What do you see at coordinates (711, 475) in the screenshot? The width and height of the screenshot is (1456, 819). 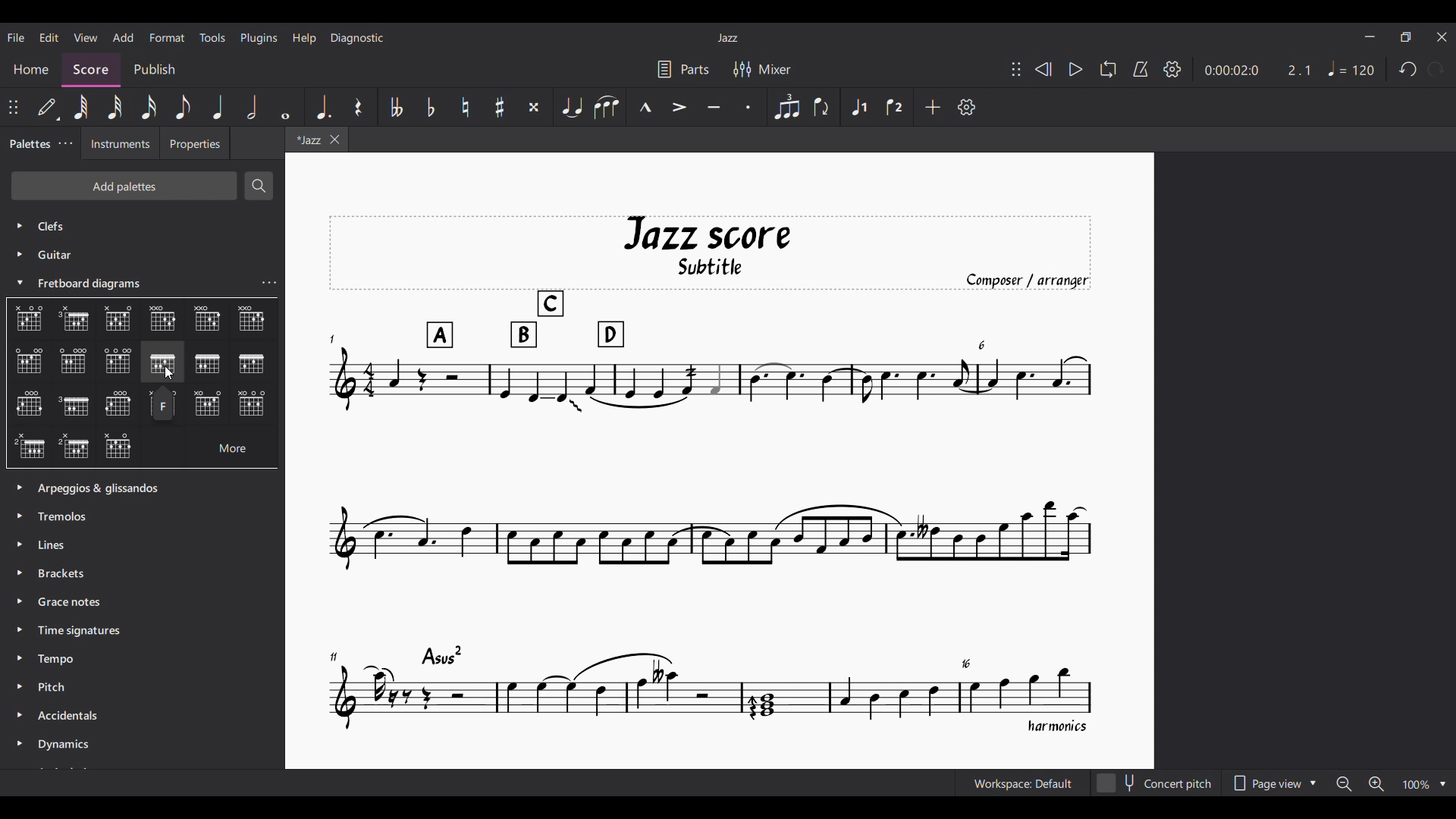 I see `Current score` at bounding box center [711, 475].